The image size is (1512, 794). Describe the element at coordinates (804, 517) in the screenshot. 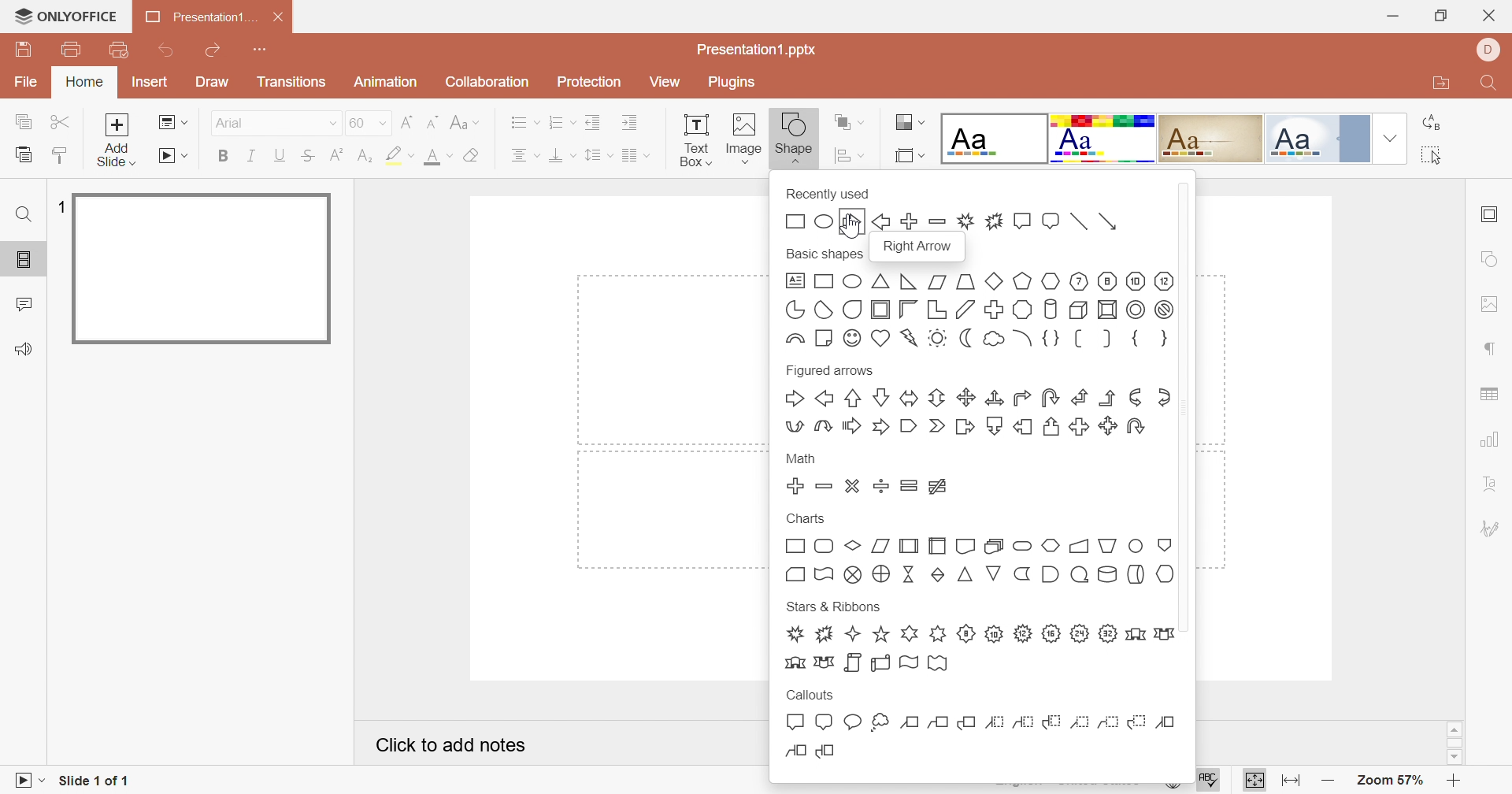

I see `Charts` at that location.